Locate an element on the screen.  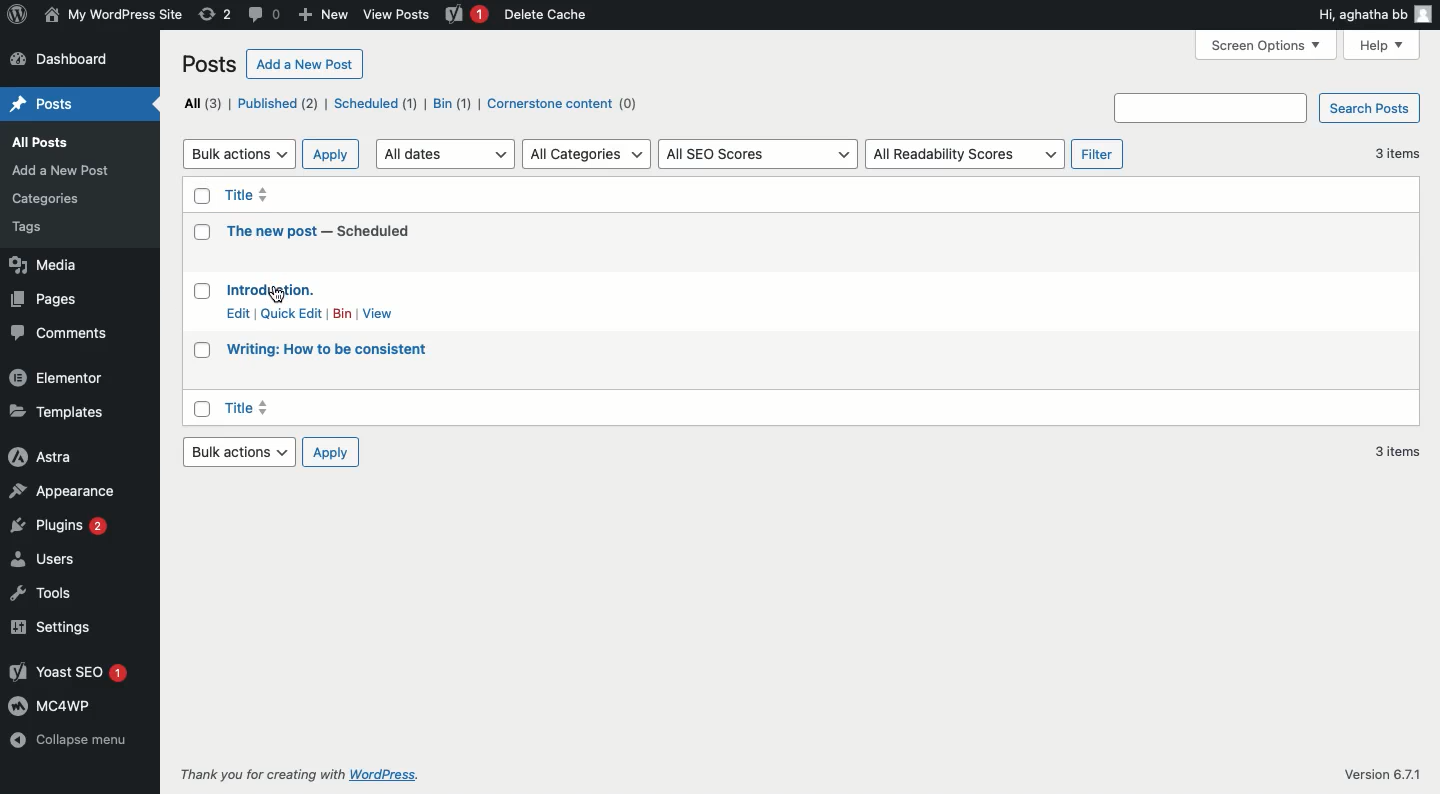
Add a New Post is located at coordinates (61, 171).